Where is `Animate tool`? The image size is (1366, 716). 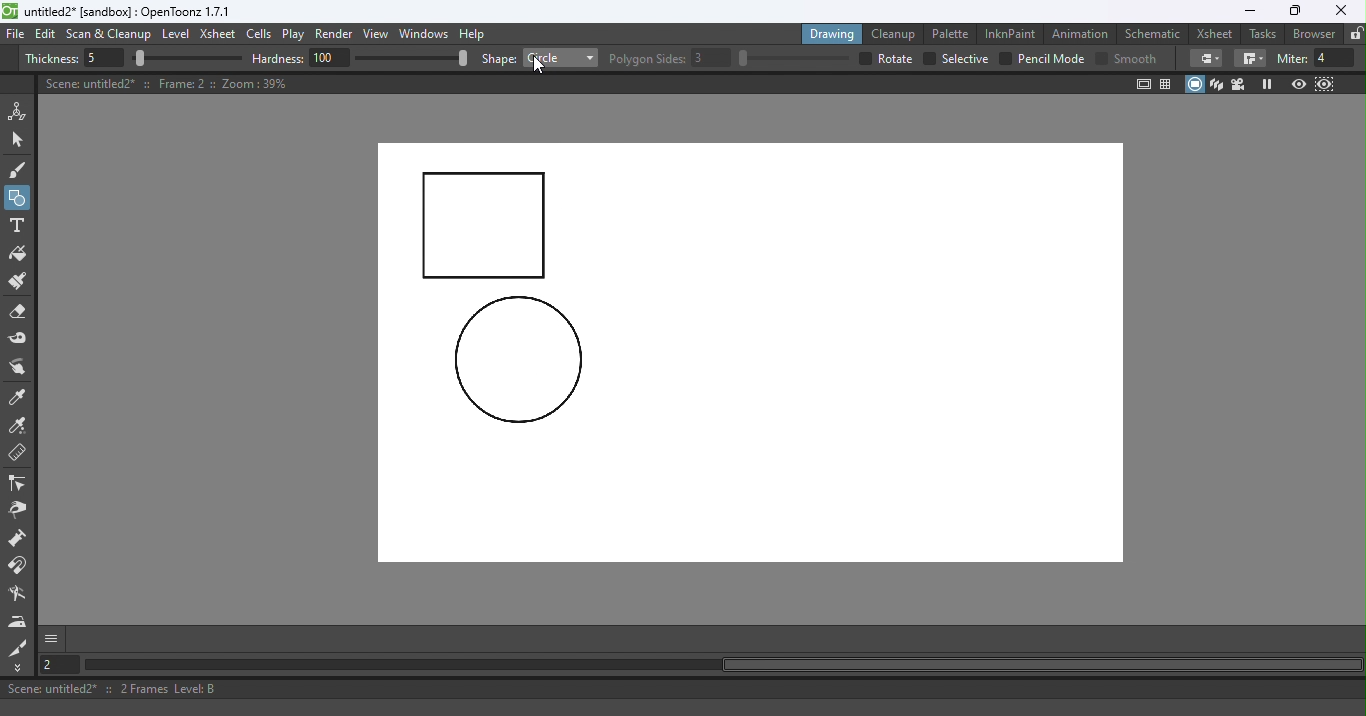 Animate tool is located at coordinates (21, 111).